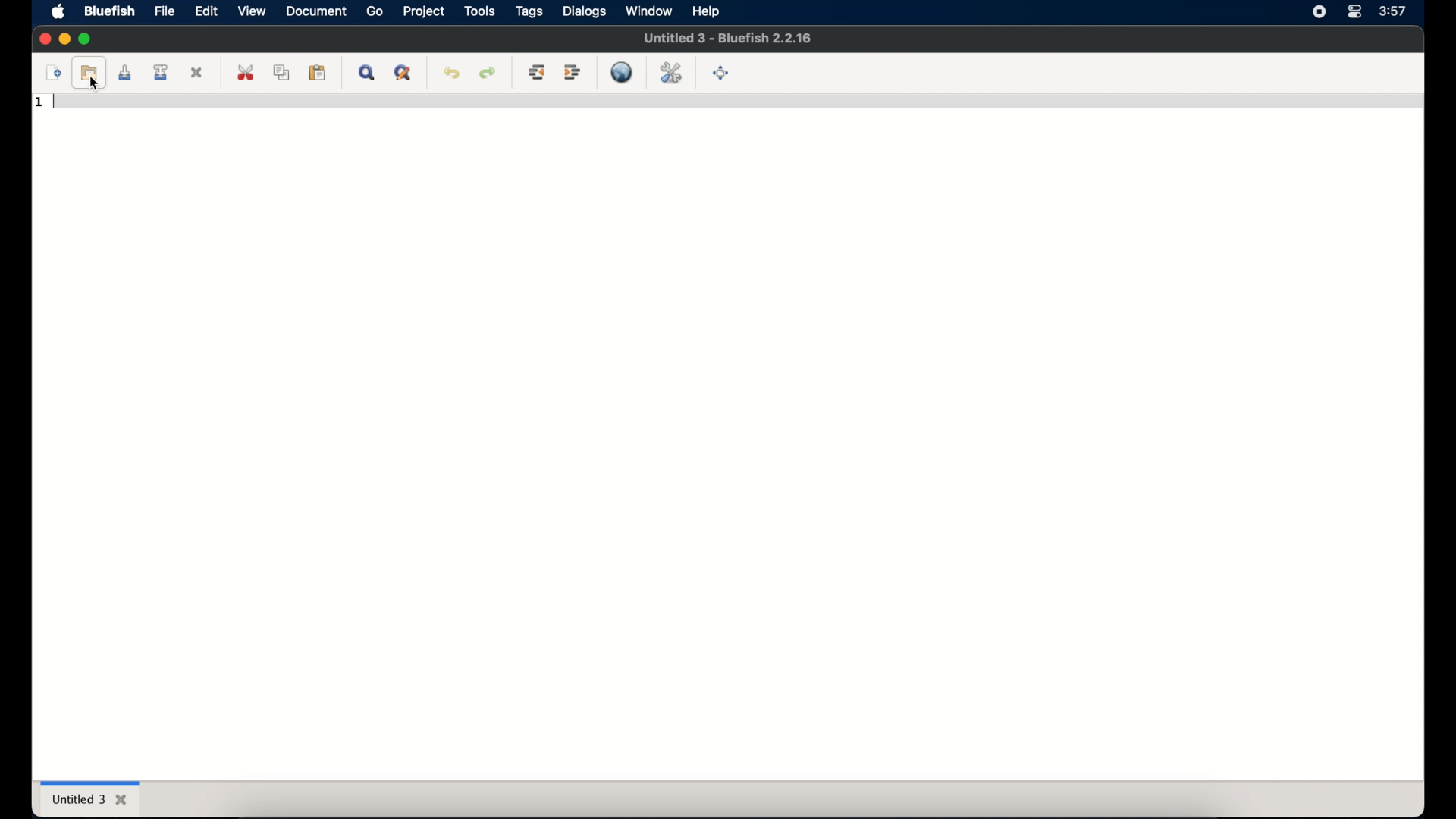 Image resolution: width=1456 pixels, height=819 pixels. What do you see at coordinates (318, 74) in the screenshot?
I see `paste` at bounding box center [318, 74].